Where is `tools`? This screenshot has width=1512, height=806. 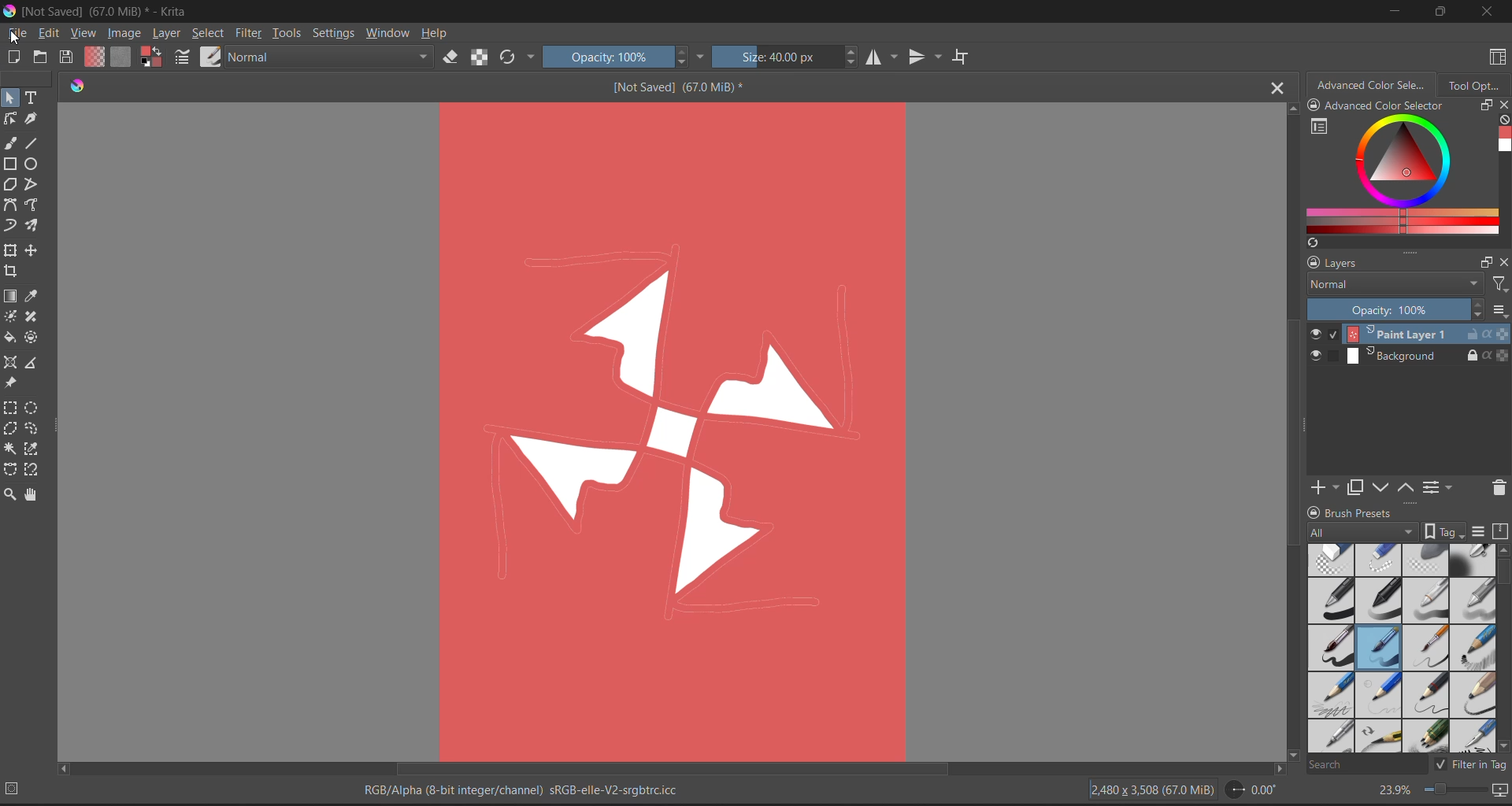
tools is located at coordinates (11, 206).